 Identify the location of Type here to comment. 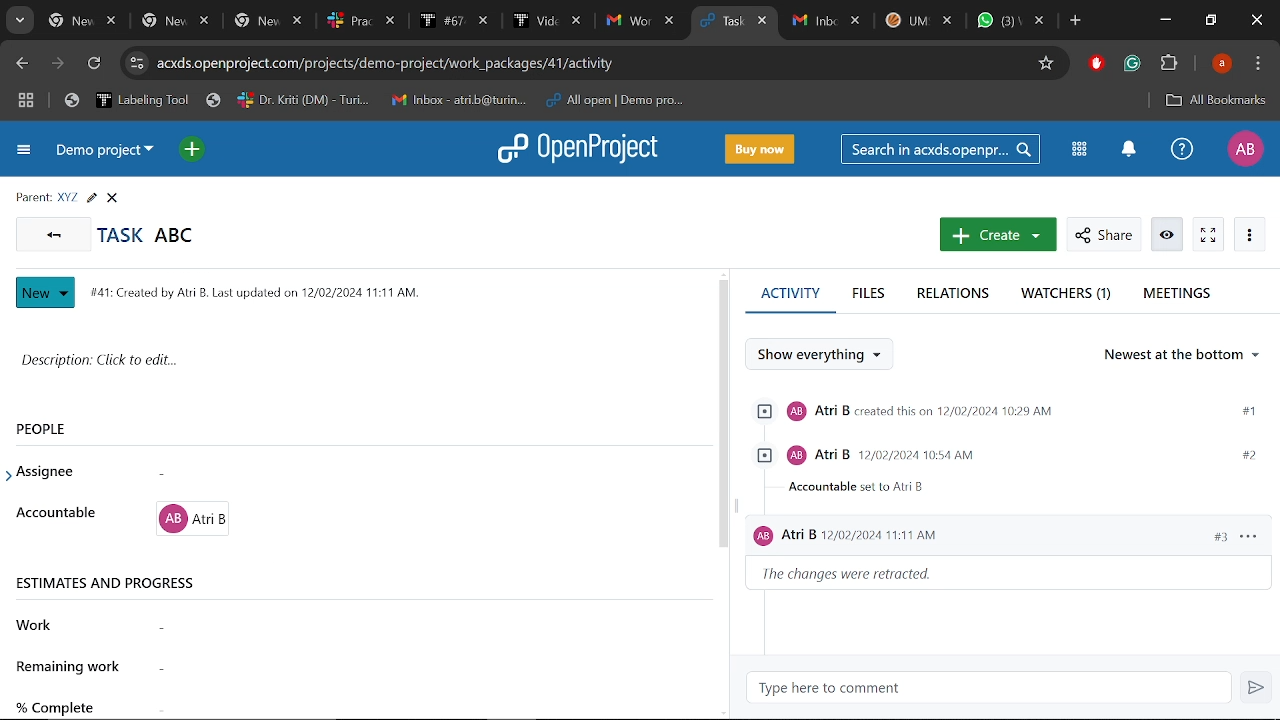
(994, 689).